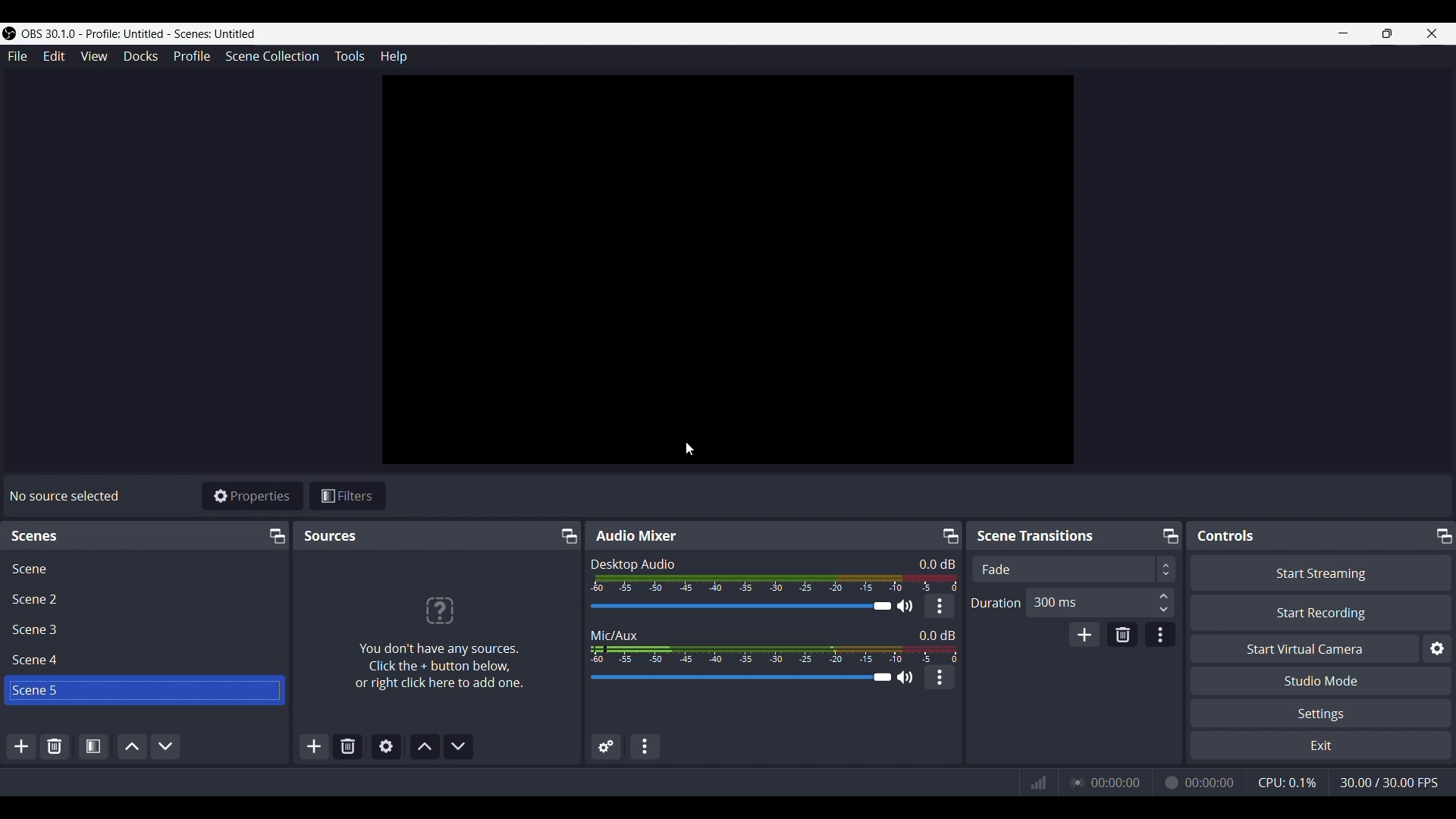  I want to click on Minimize, so click(1442, 535).